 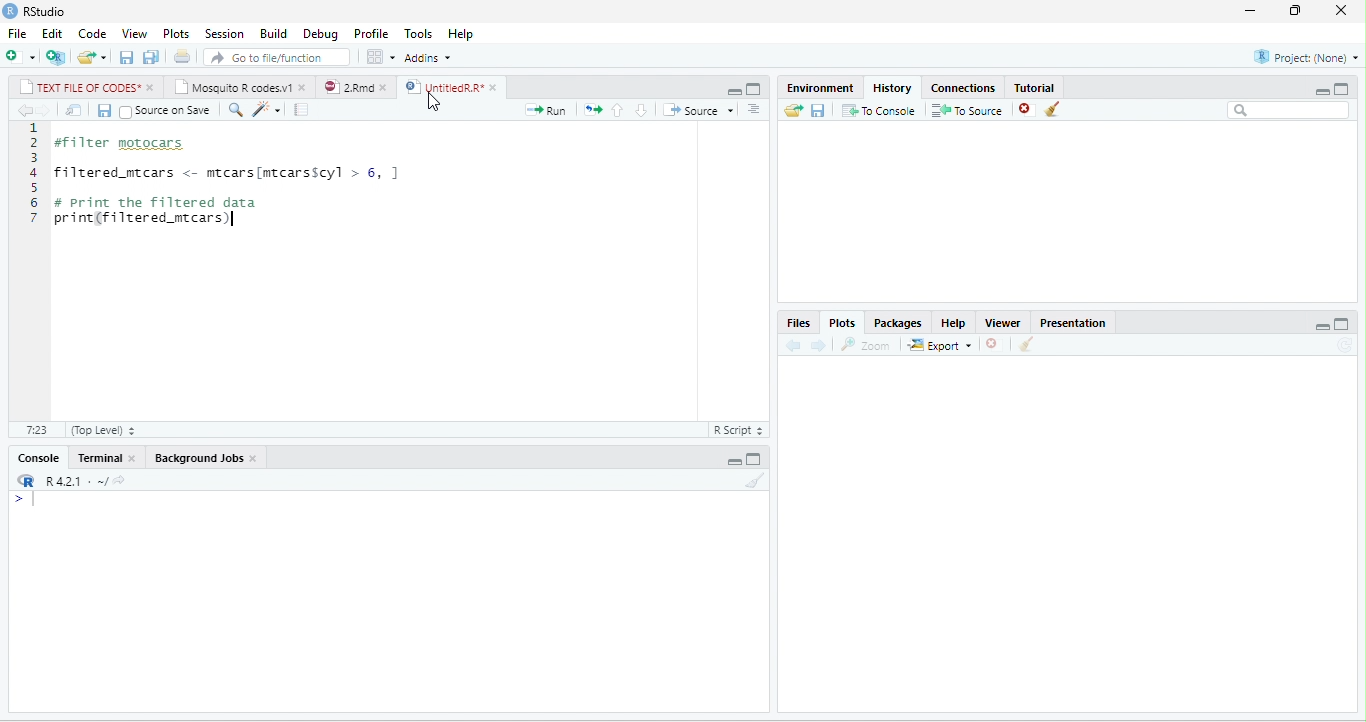 I want to click on save, so click(x=817, y=111).